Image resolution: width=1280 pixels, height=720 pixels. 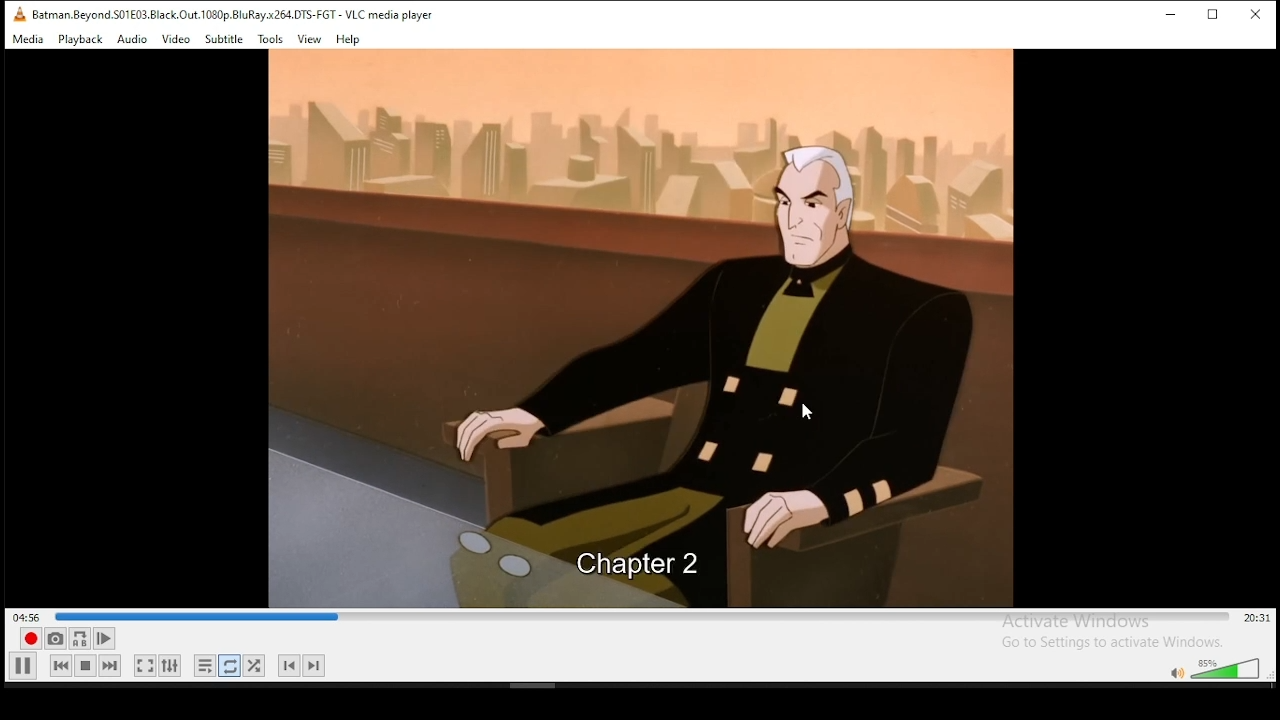 I want to click on View, so click(x=311, y=40).